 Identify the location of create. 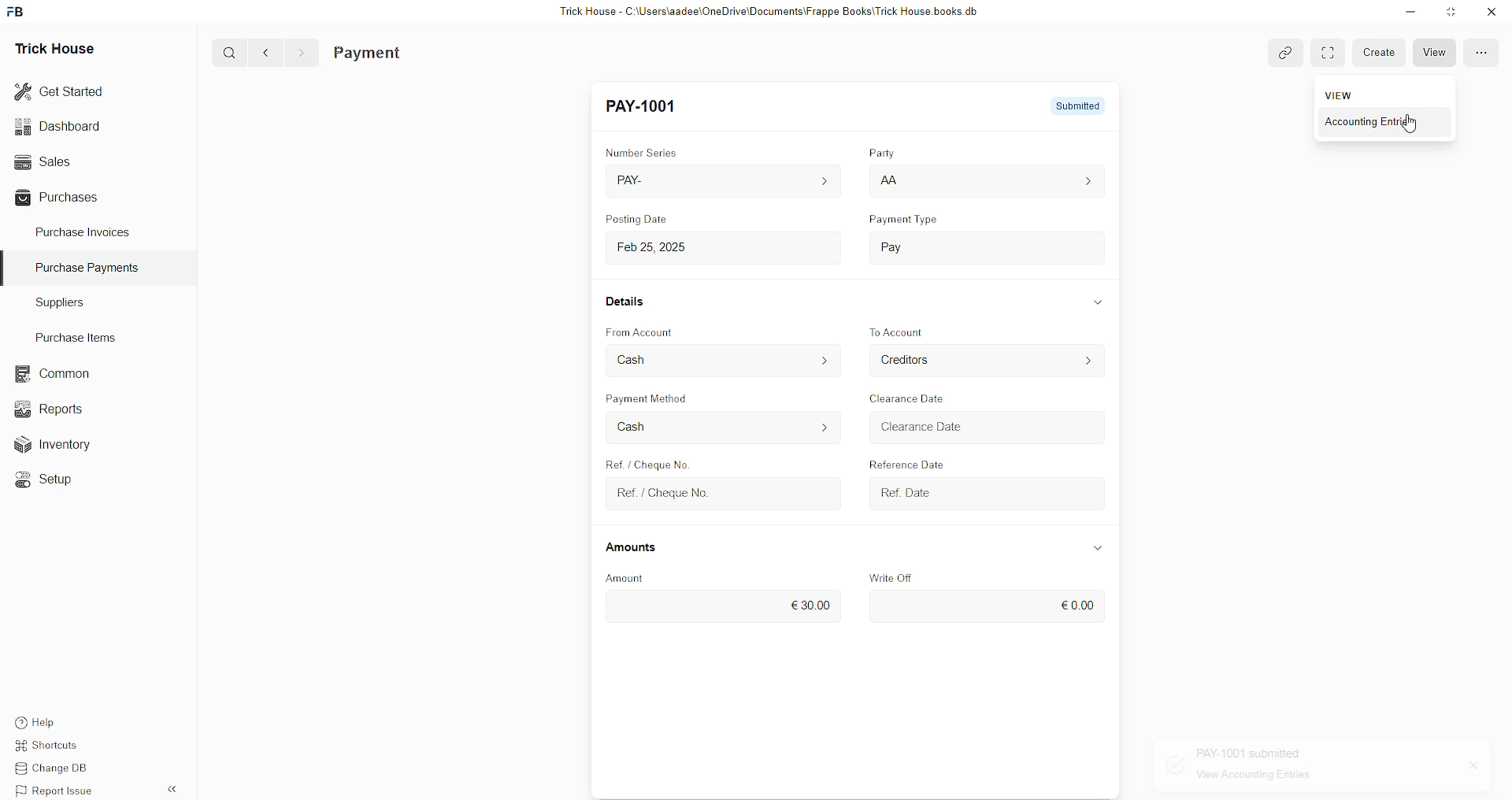
(1382, 52).